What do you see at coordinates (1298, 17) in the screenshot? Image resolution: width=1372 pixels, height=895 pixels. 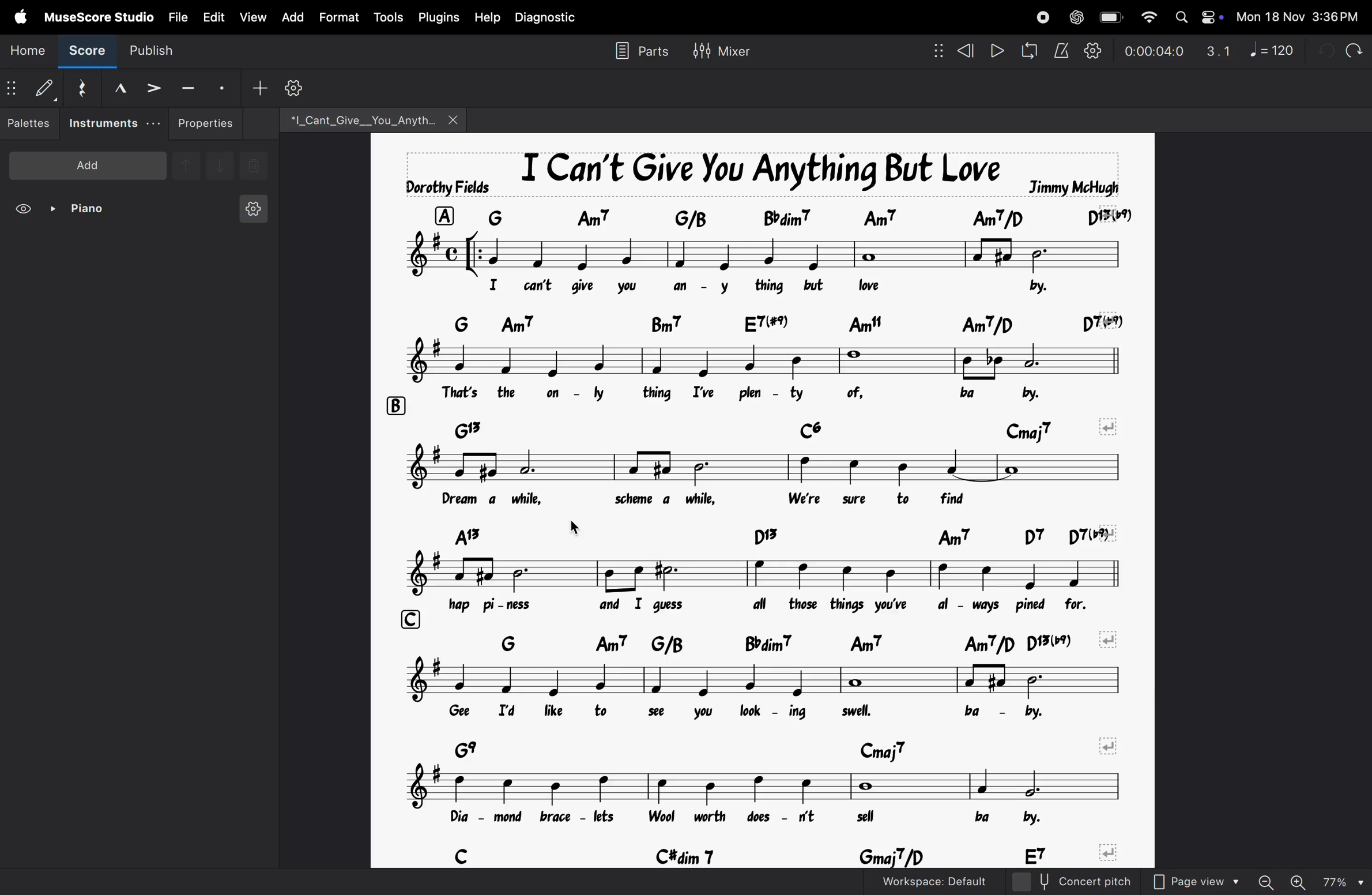 I see `date and time` at bounding box center [1298, 17].